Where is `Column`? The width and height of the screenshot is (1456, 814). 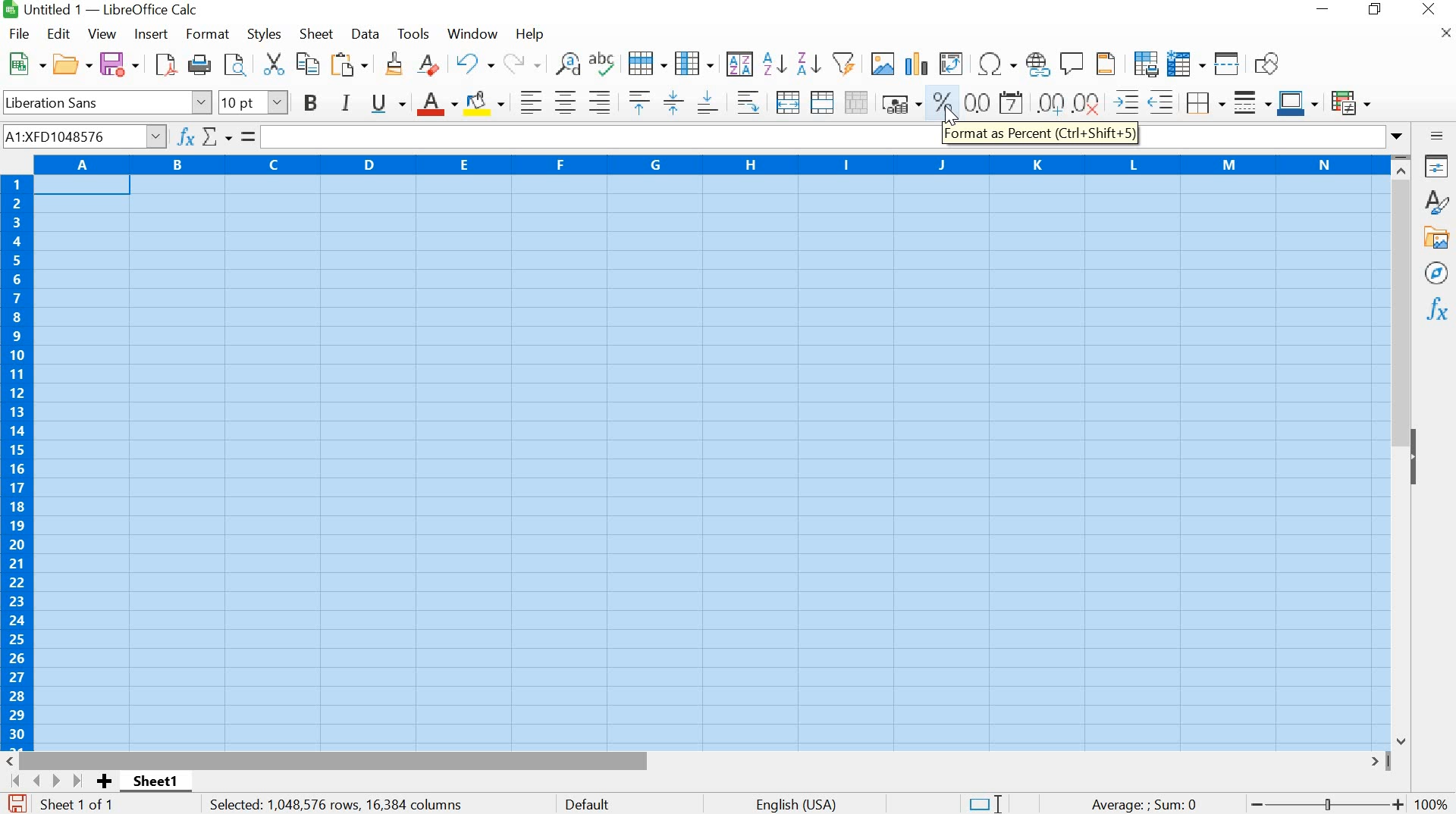 Column is located at coordinates (695, 65).